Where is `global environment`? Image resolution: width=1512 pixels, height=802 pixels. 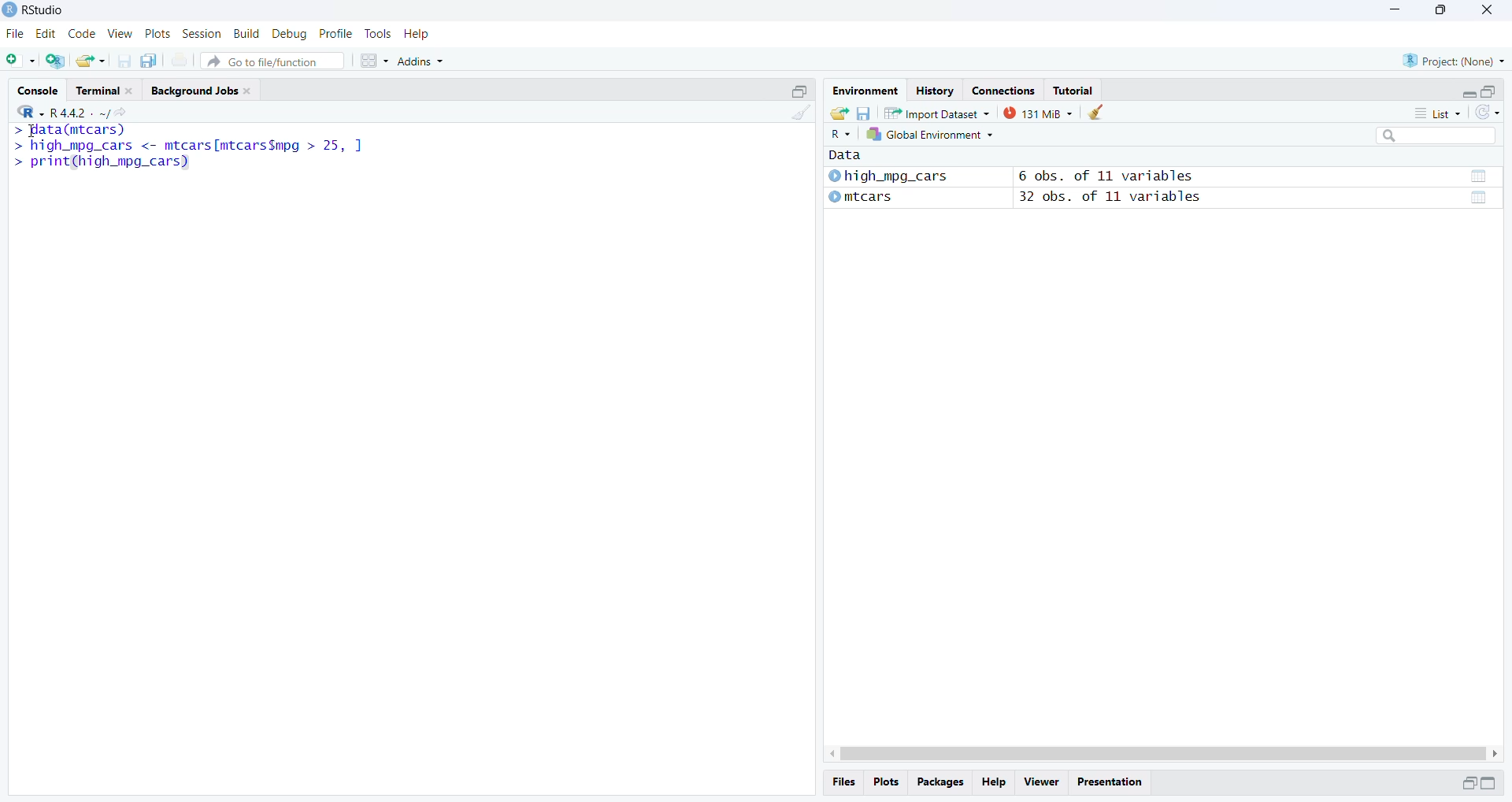 global environment is located at coordinates (927, 135).